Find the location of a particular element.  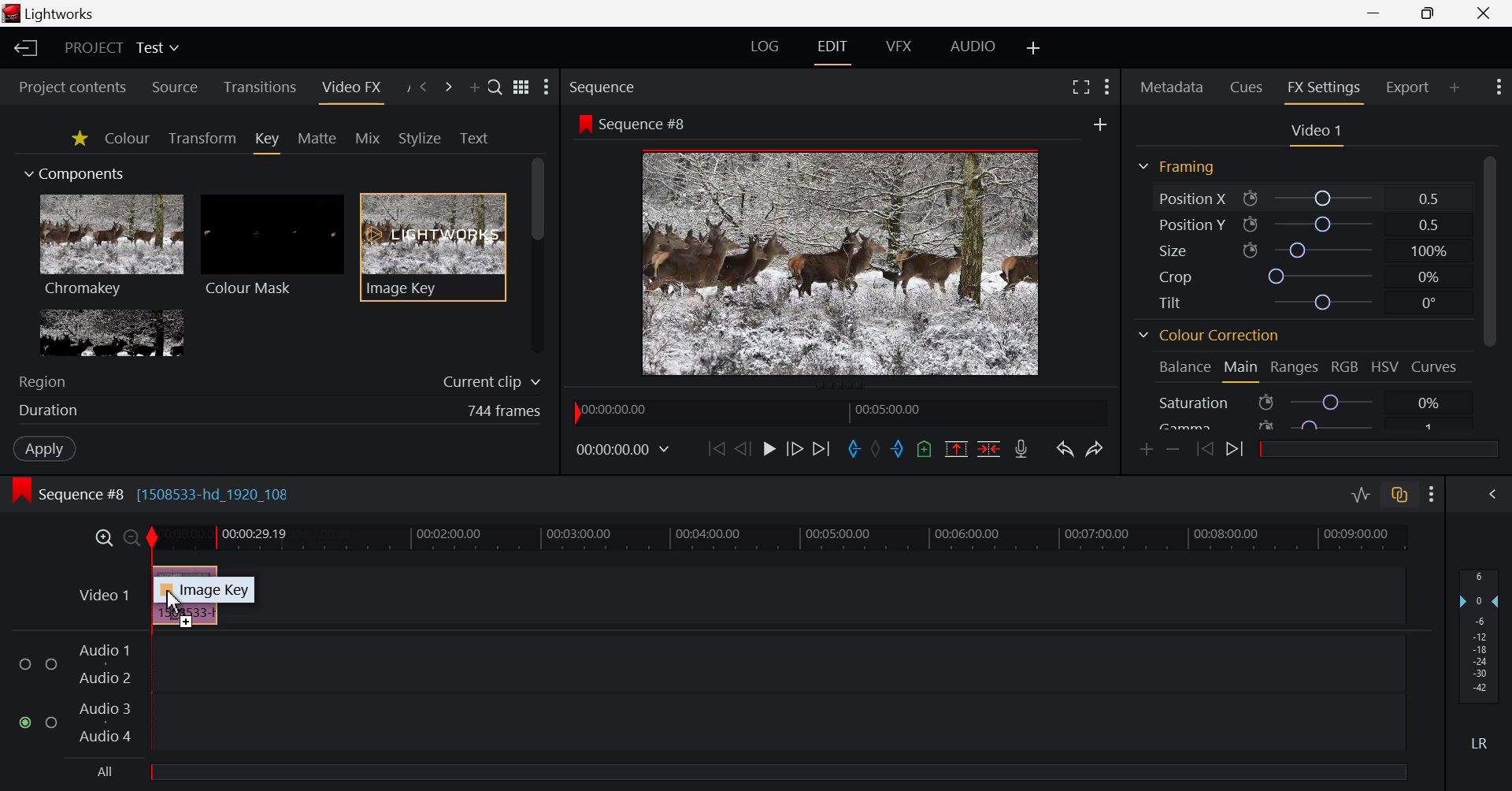

Components Section is located at coordinates (81, 171).